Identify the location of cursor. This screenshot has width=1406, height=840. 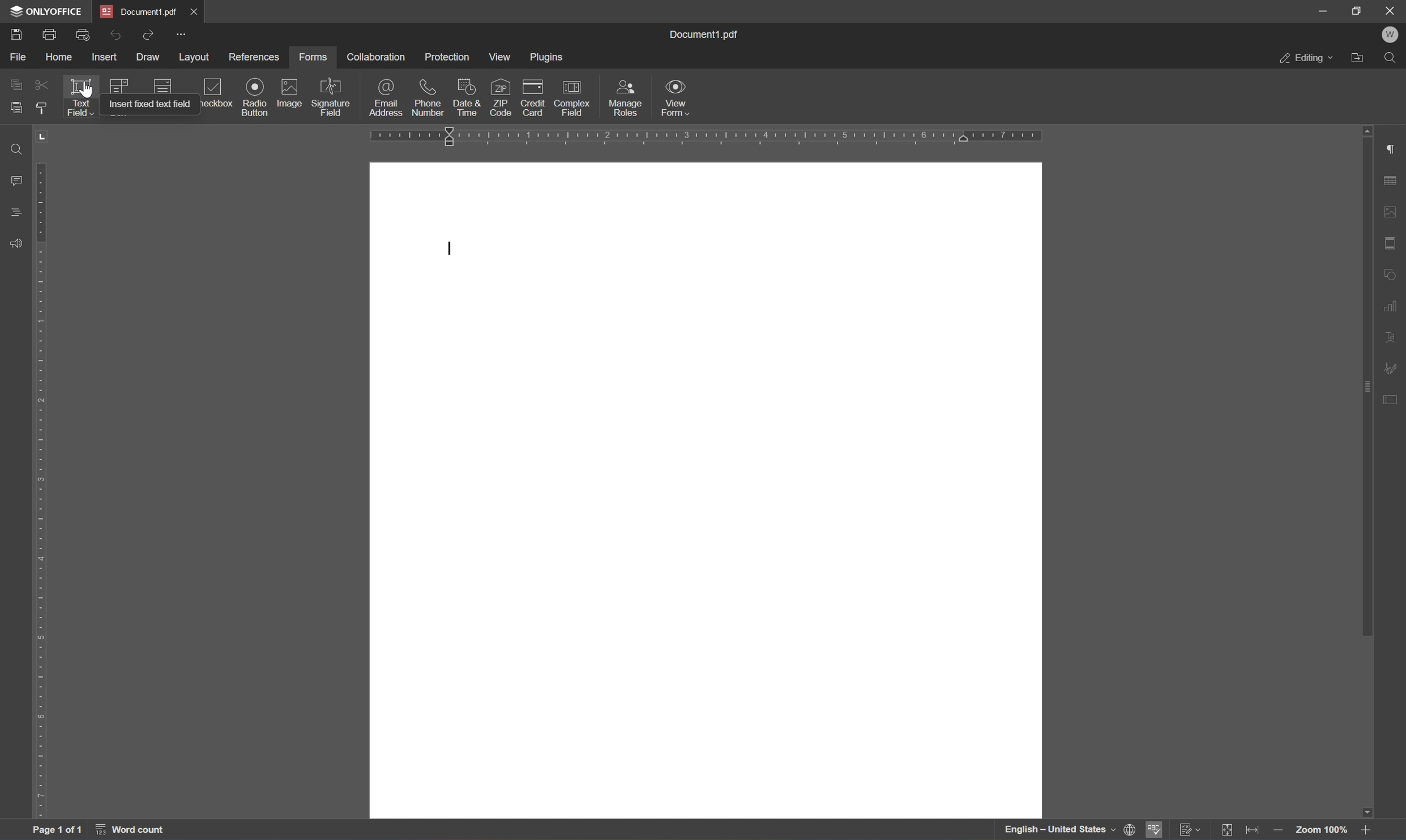
(449, 248).